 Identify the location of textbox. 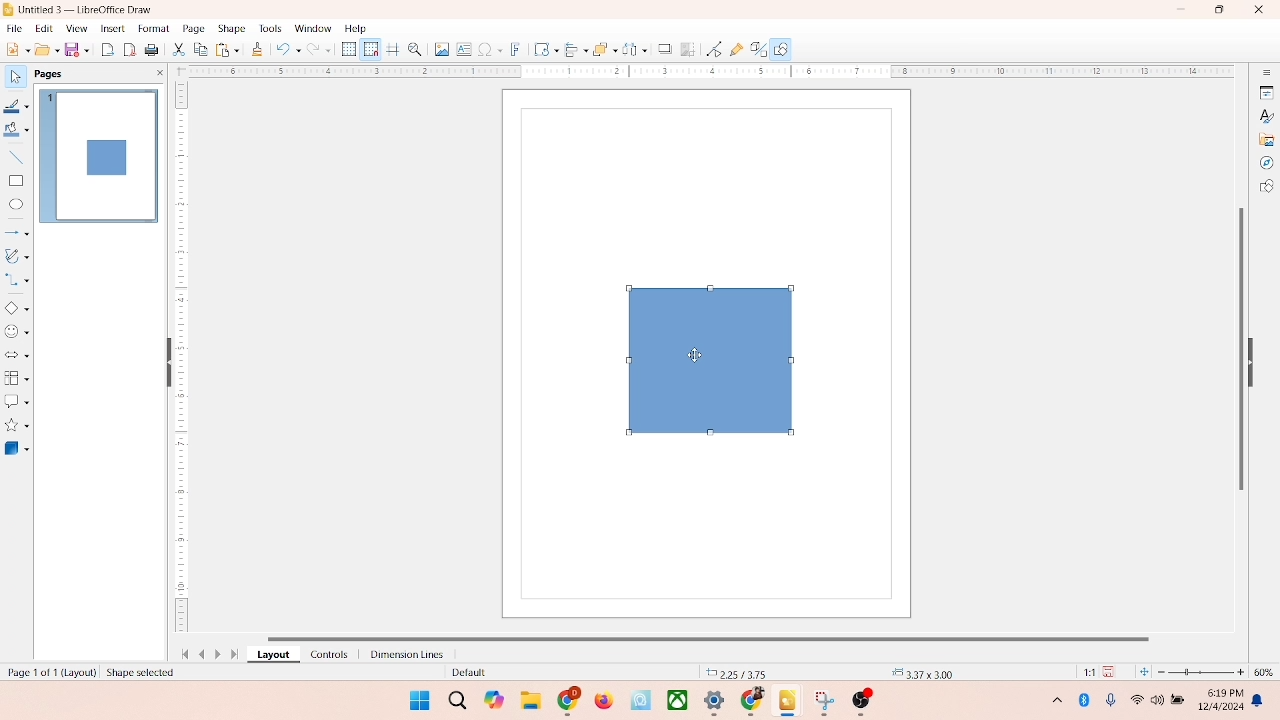
(463, 51).